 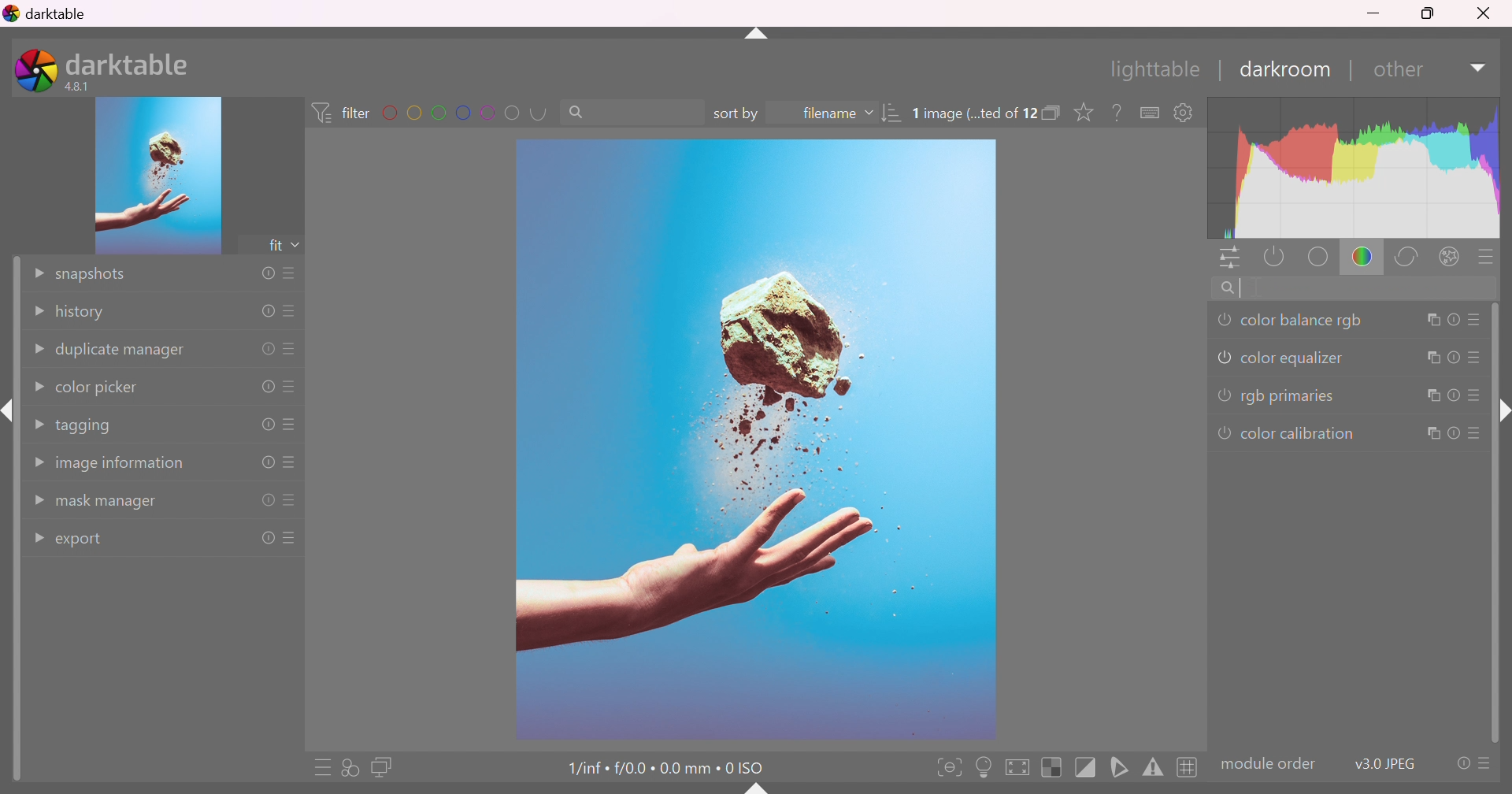 What do you see at coordinates (159, 176) in the screenshot?
I see `image` at bounding box center [159, 176].